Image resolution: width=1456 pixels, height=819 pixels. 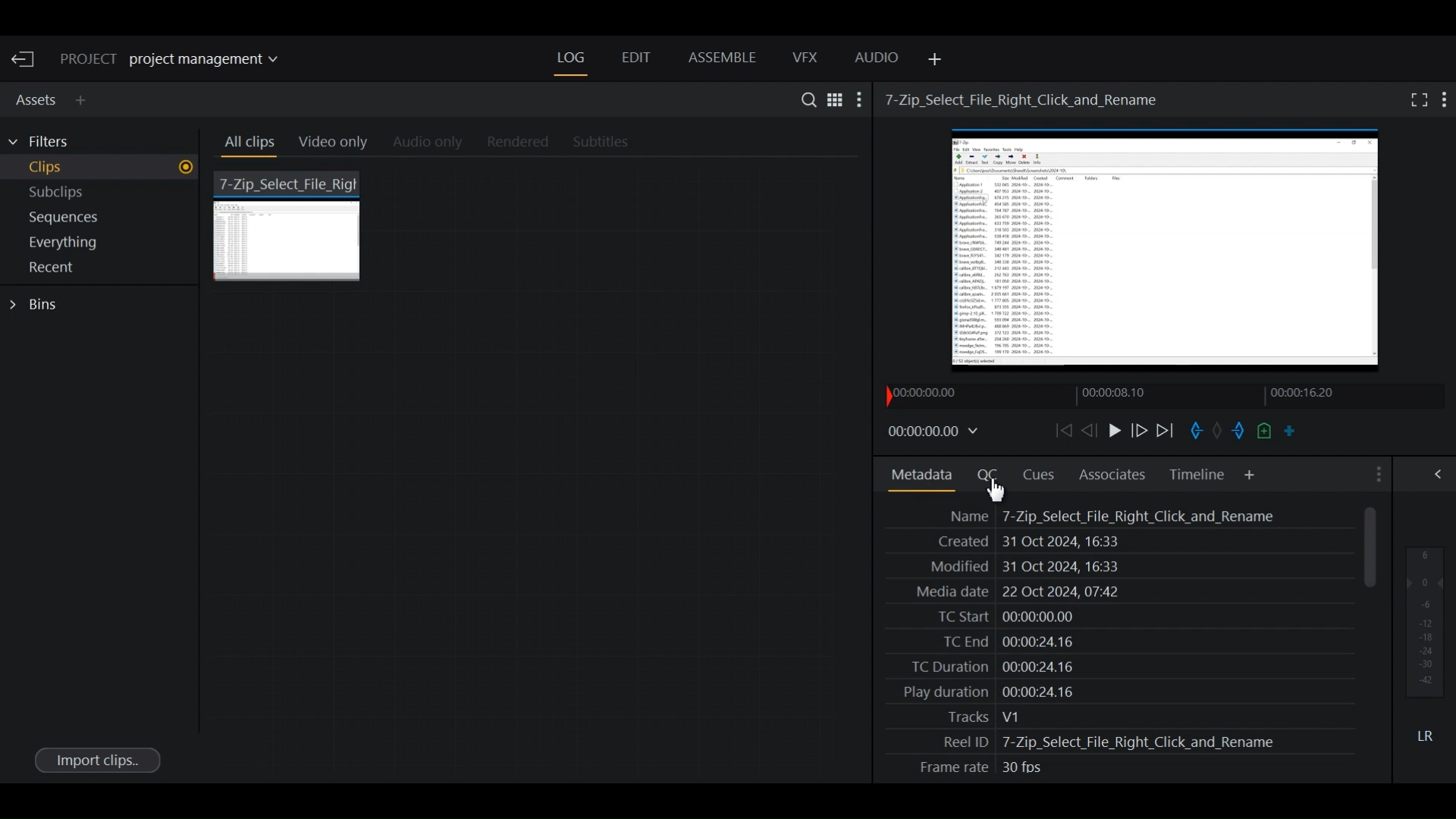 What do you see at coordinates (922, 477) in the screenshot?
I see `Metadata` at bounding box center [922, 477].